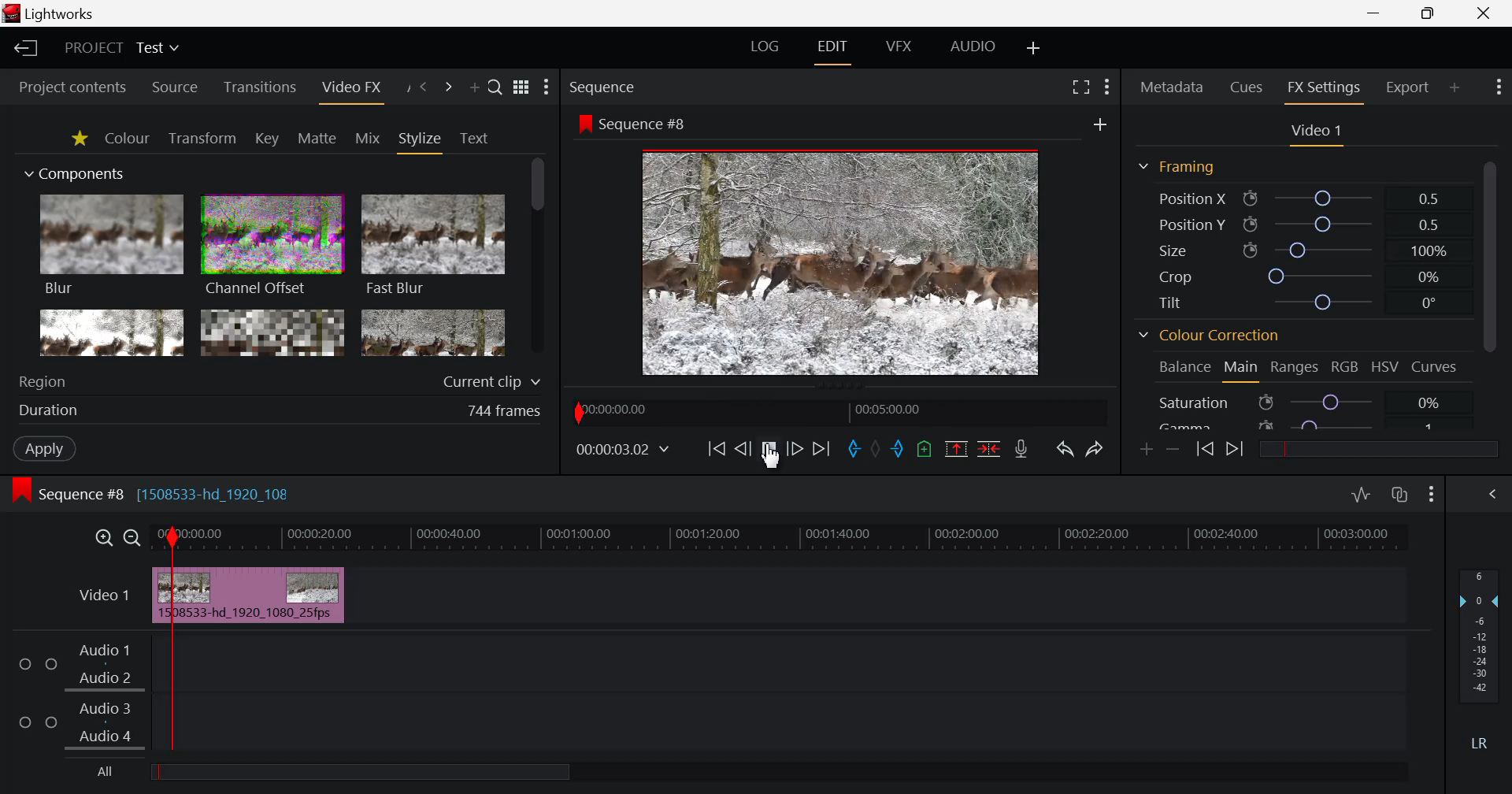 The height and width of the screenshot is (794, 1512). I want to click on All, so click(339, 772).